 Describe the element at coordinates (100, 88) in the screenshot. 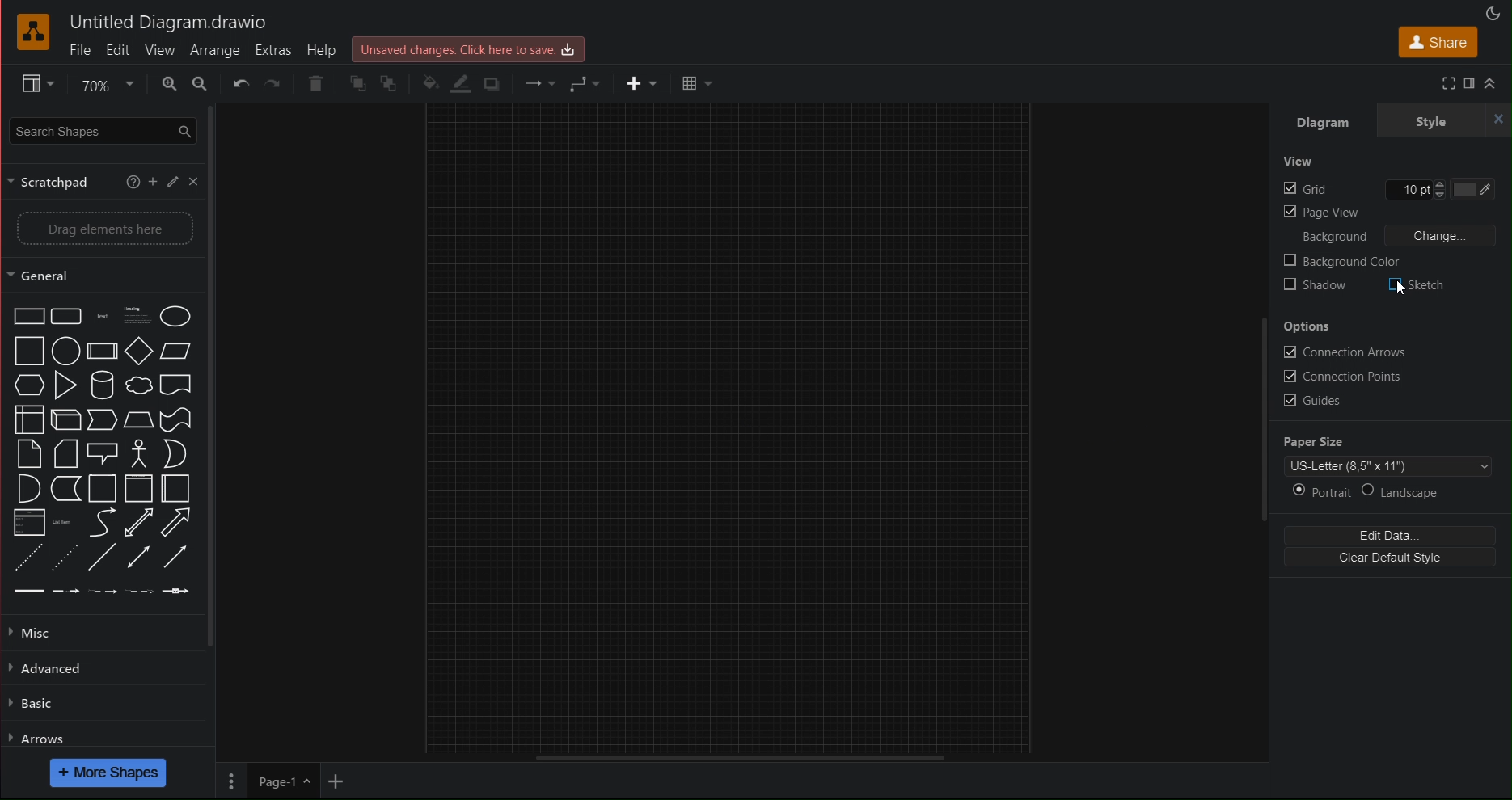

I see `Zoom` at that location.